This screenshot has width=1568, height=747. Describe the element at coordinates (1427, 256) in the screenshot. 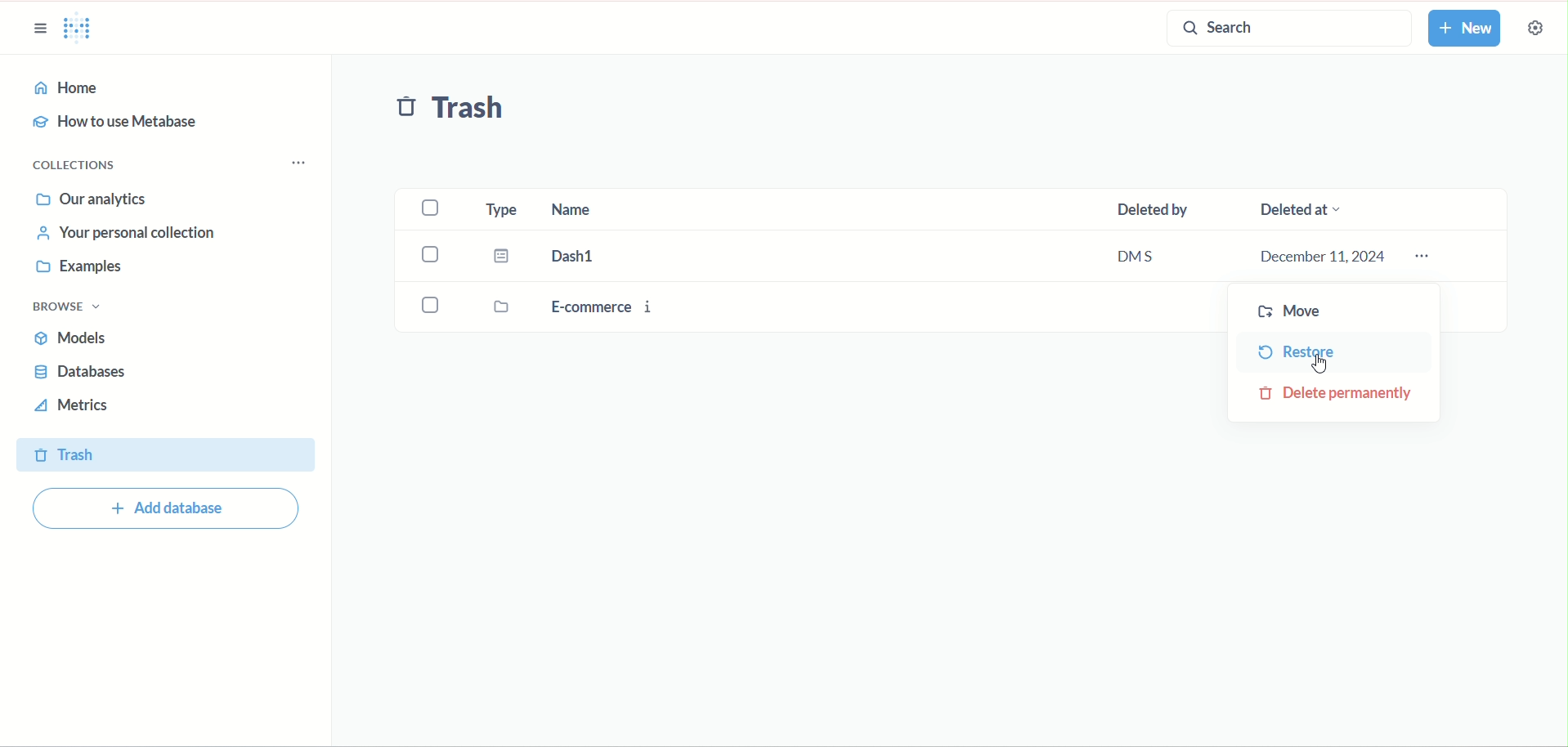

I see `Dash1 options` at that location.